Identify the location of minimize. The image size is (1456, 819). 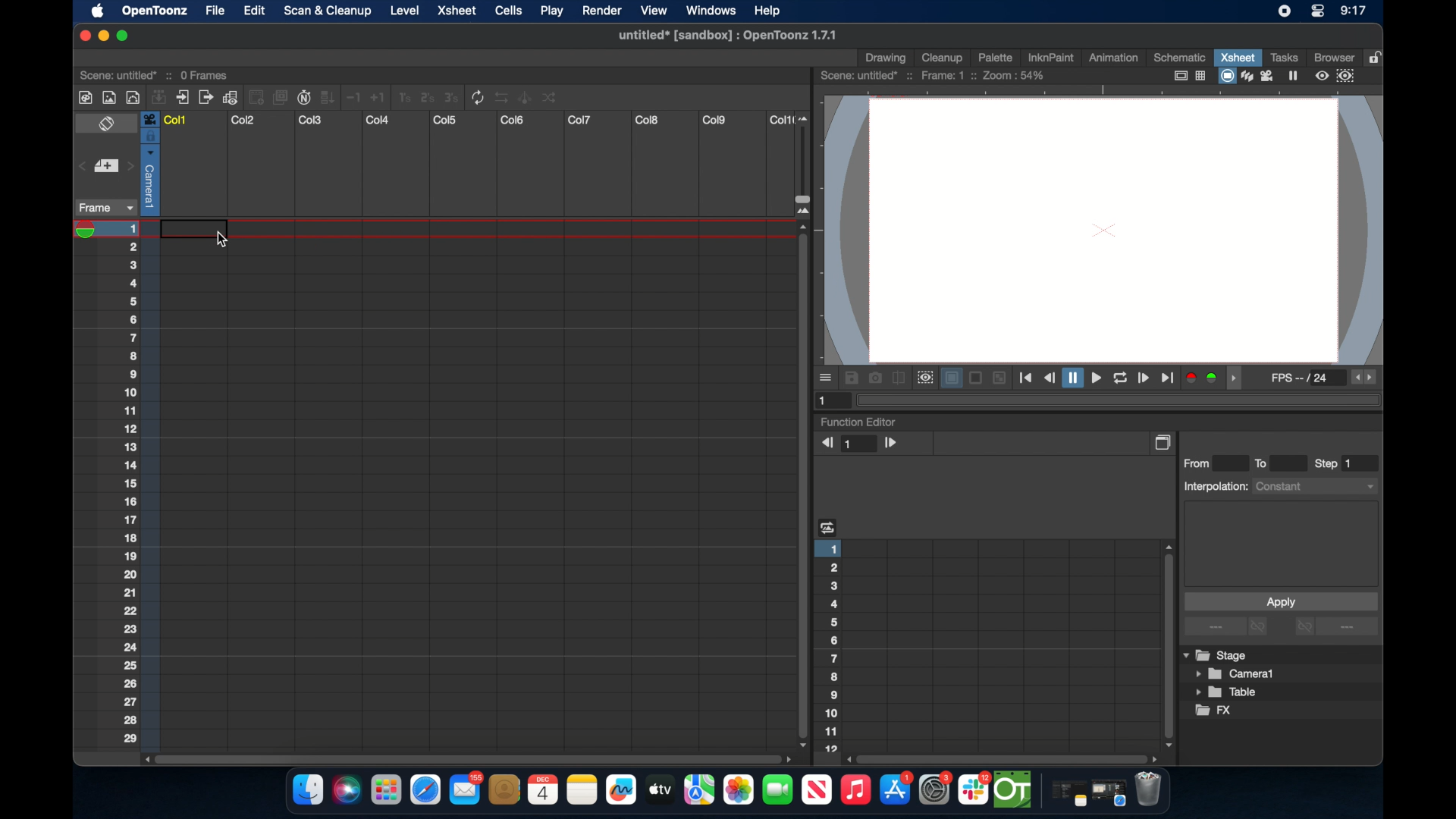
(102, 36).